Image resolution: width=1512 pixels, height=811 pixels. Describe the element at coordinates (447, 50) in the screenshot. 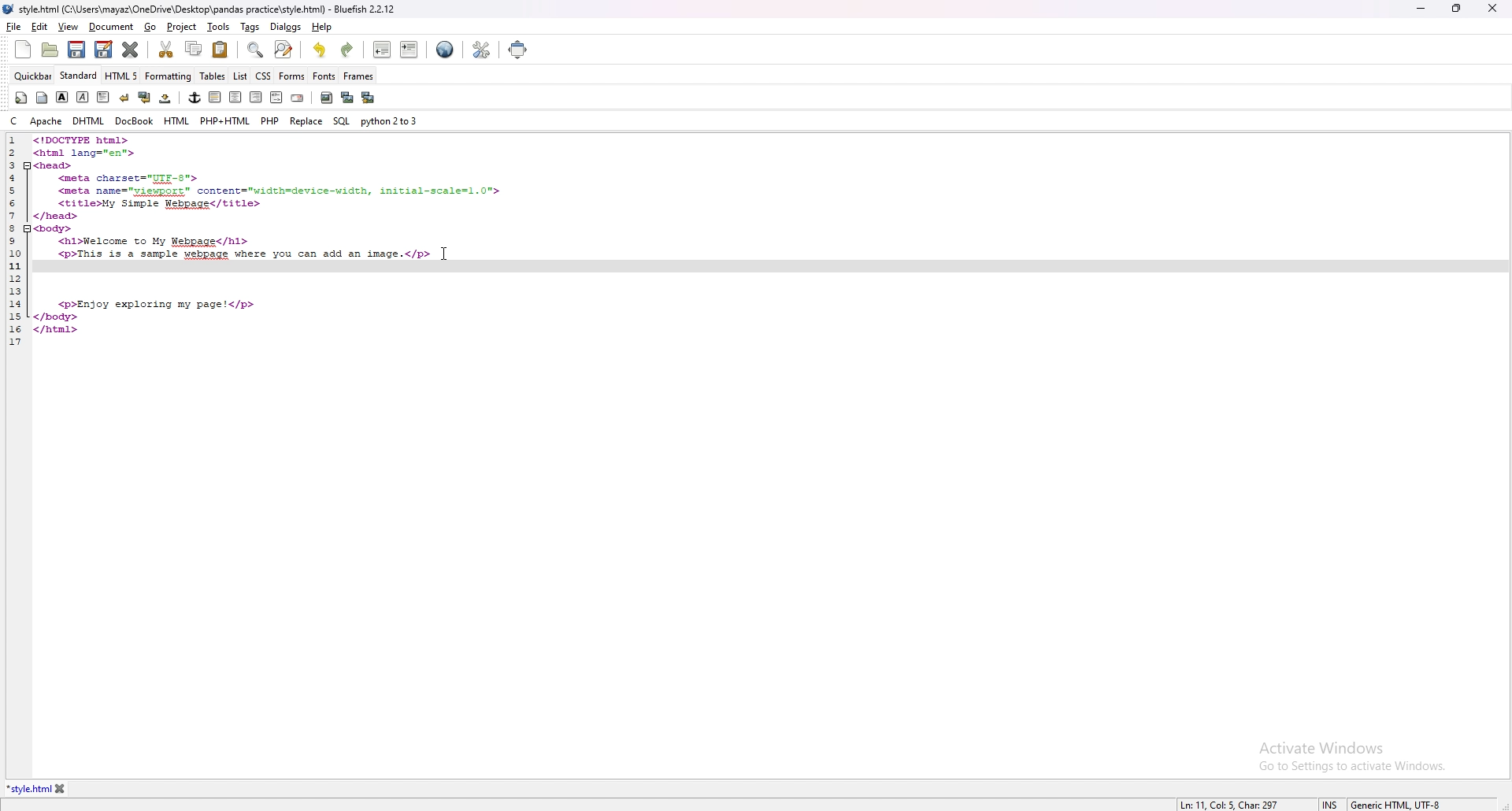

I see `web preview` at that location.